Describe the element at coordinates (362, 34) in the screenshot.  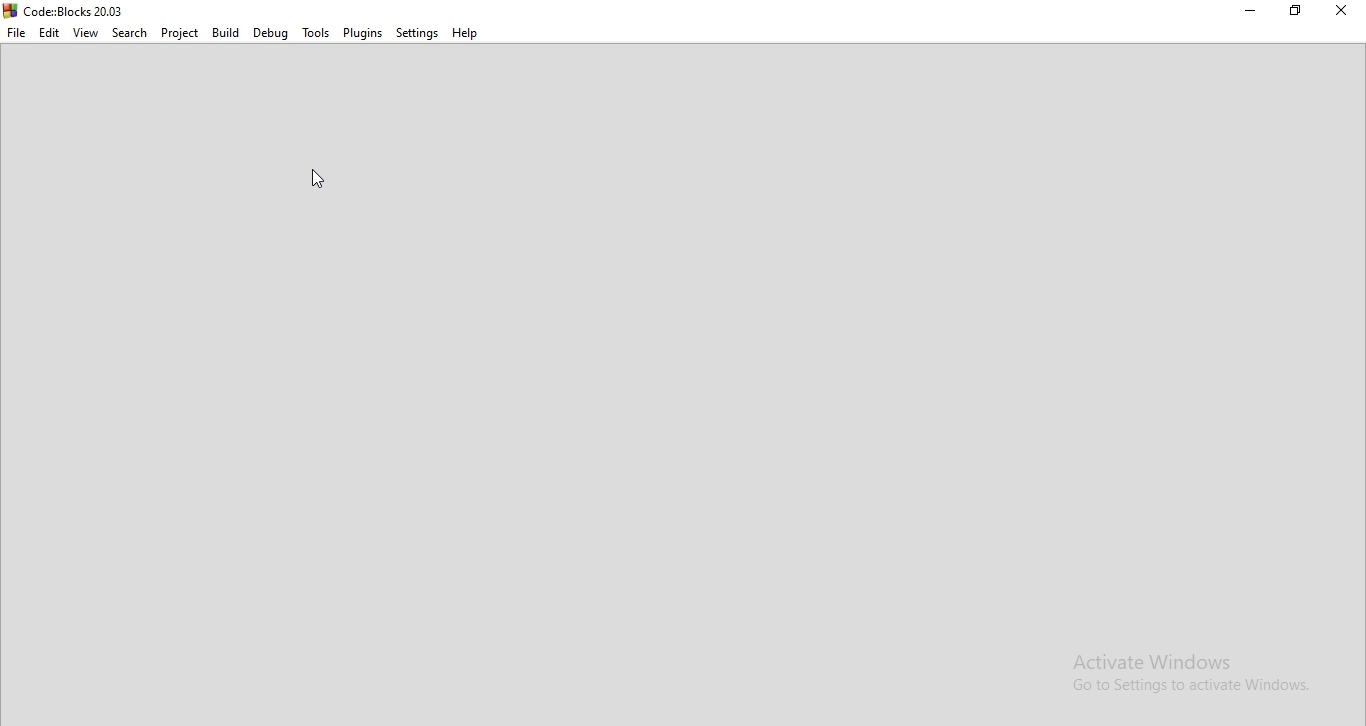
I see `Plugins ` at that location.